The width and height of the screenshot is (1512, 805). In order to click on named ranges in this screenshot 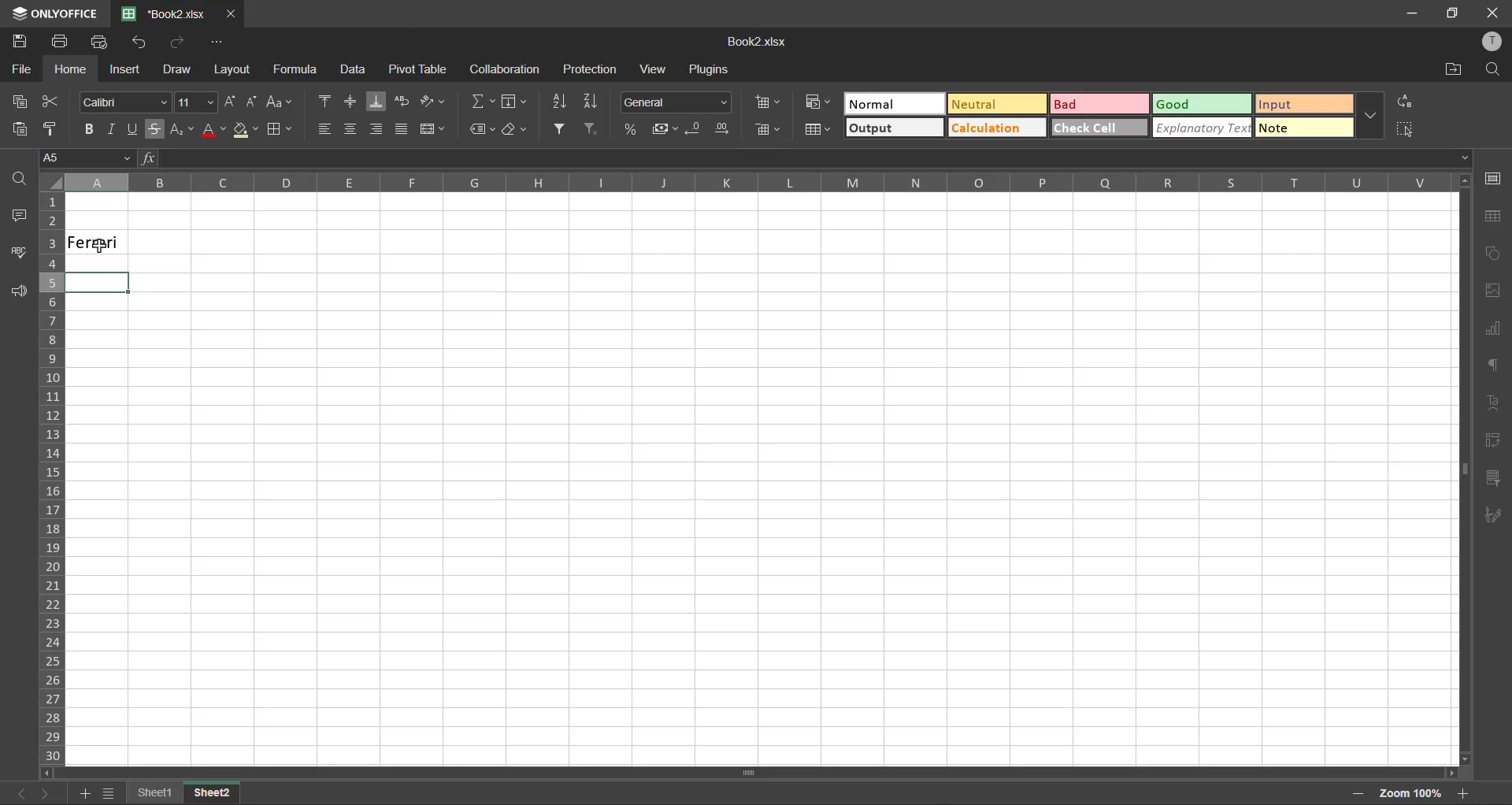, I will do `click(485, 127)`.